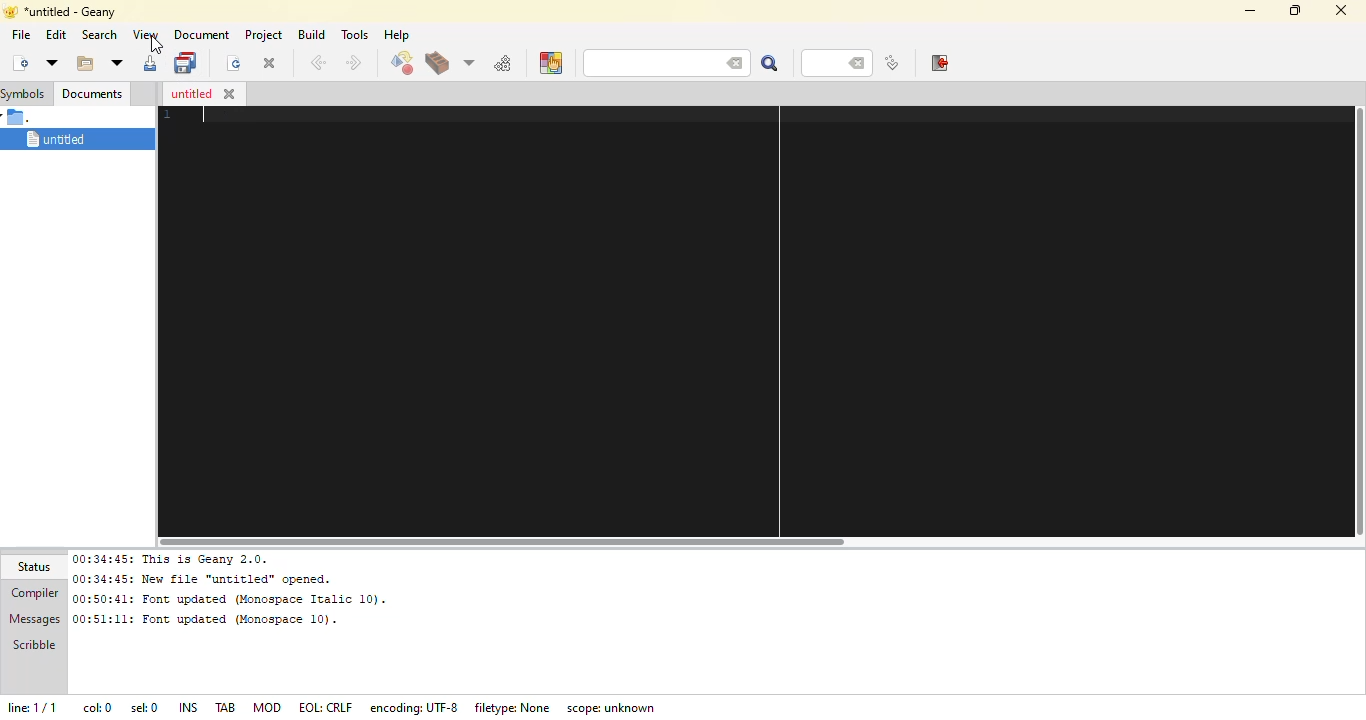  I want to click on col: 0, so click(97, 708).